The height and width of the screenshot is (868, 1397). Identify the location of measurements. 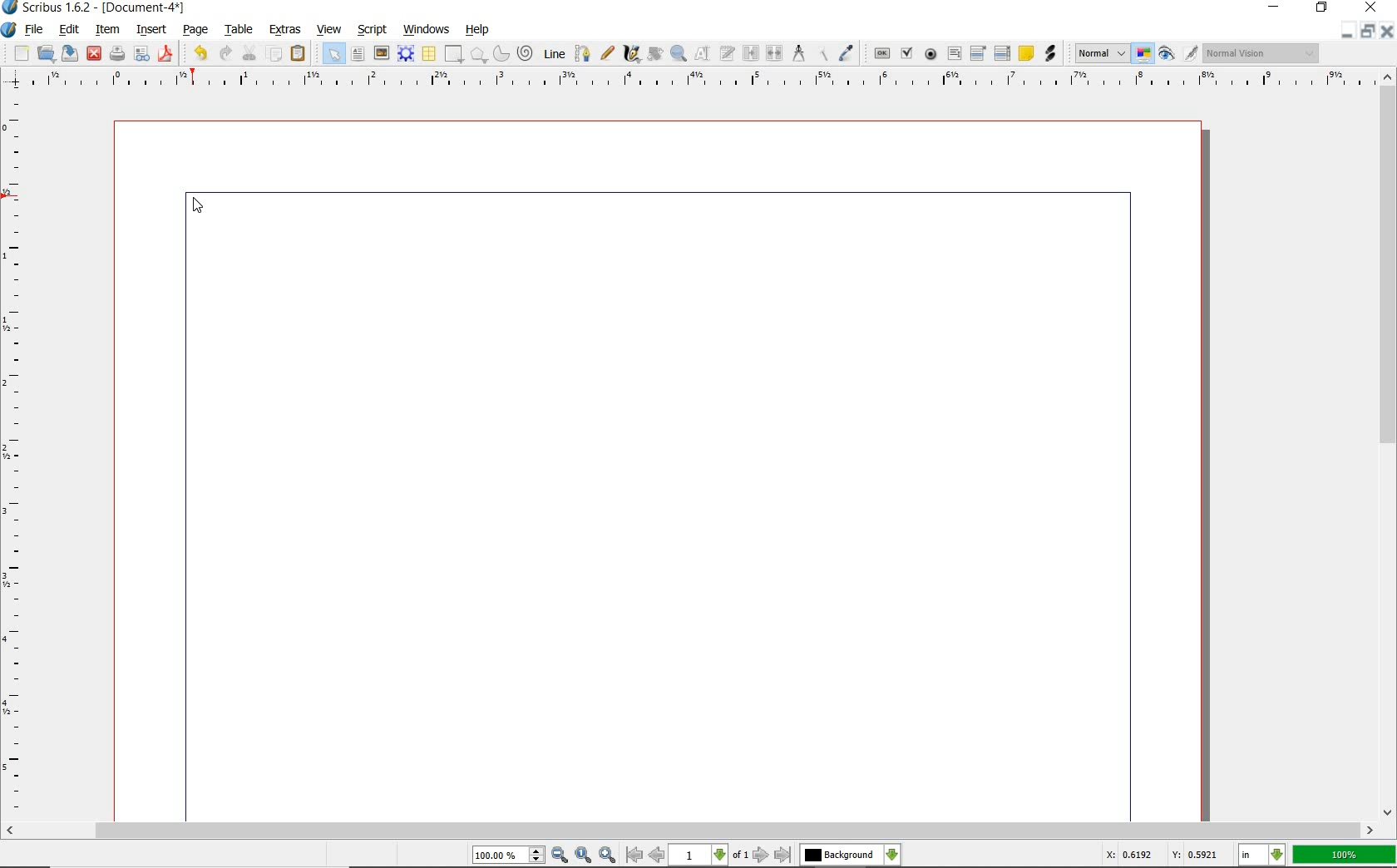
(798, 54).